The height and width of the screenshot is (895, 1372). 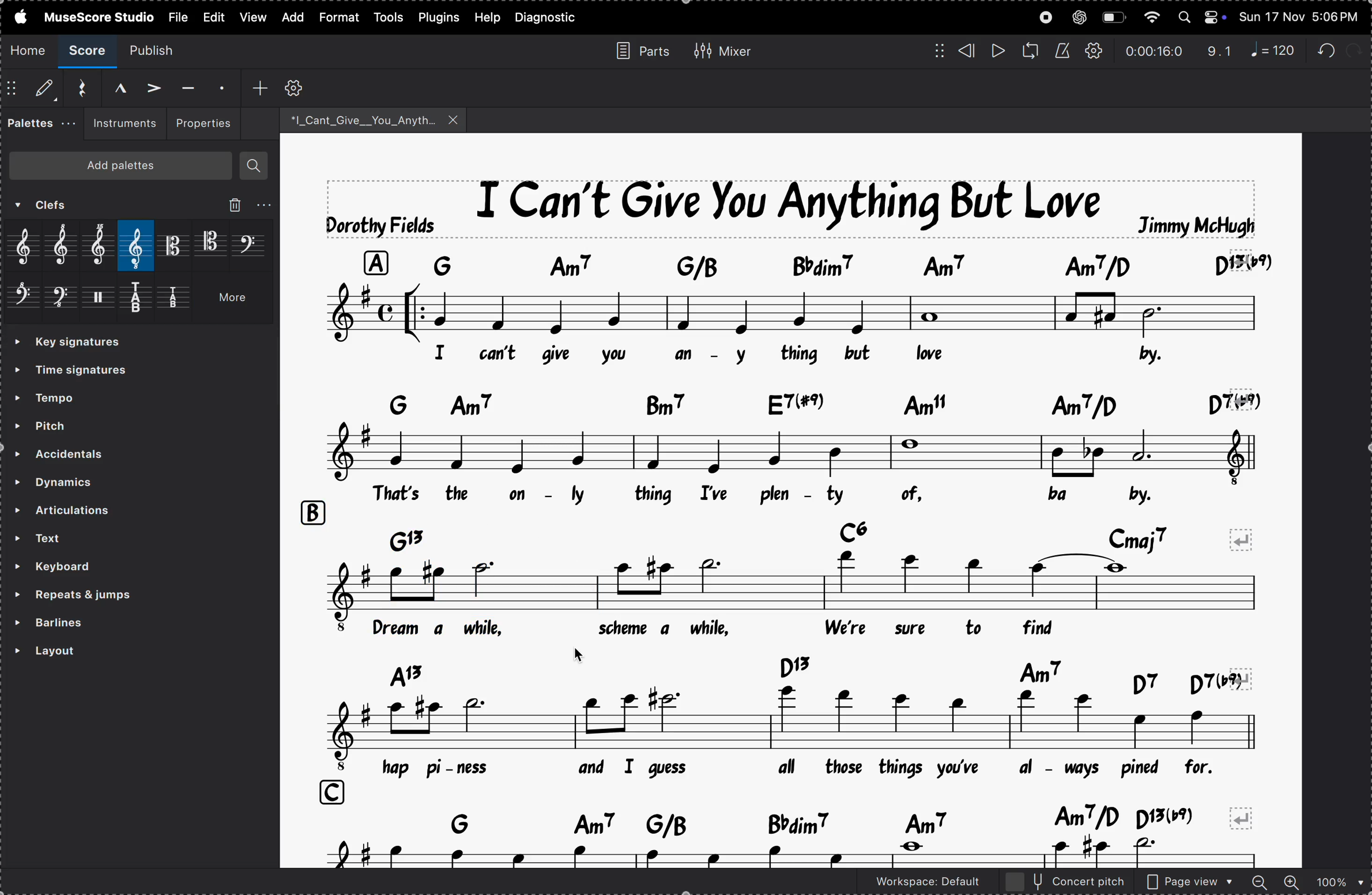 What do you see at coordinates (550, 18) in the screenshot?
I see `daignostics` at bounding box center [550, 18].